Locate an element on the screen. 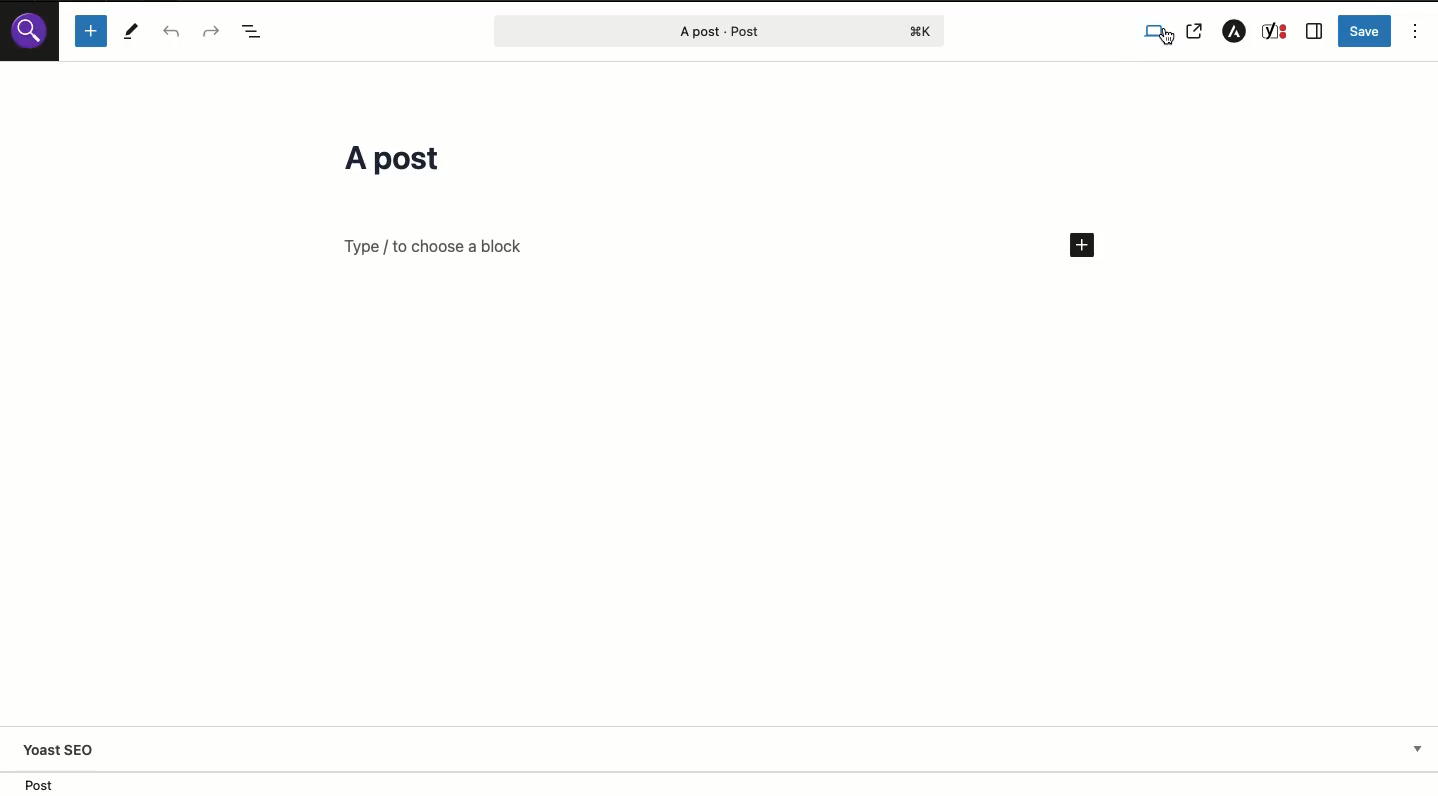 The width and height of the screenshot is (1438, 796). Undo is located at coordinates (171, 31).